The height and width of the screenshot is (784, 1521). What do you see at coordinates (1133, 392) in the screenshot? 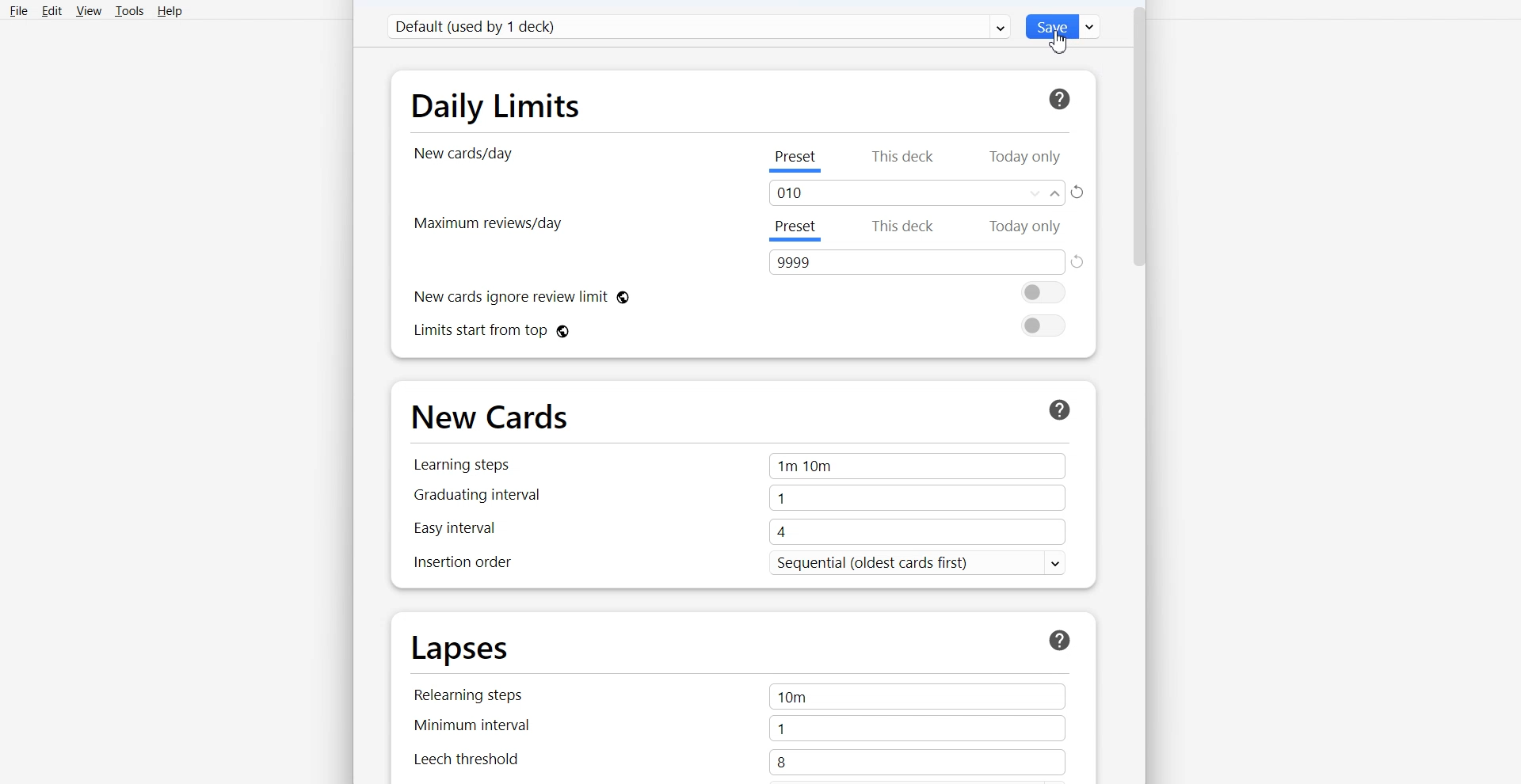
I see `Vertical scroll bar` at bounding box center [1133, 392].